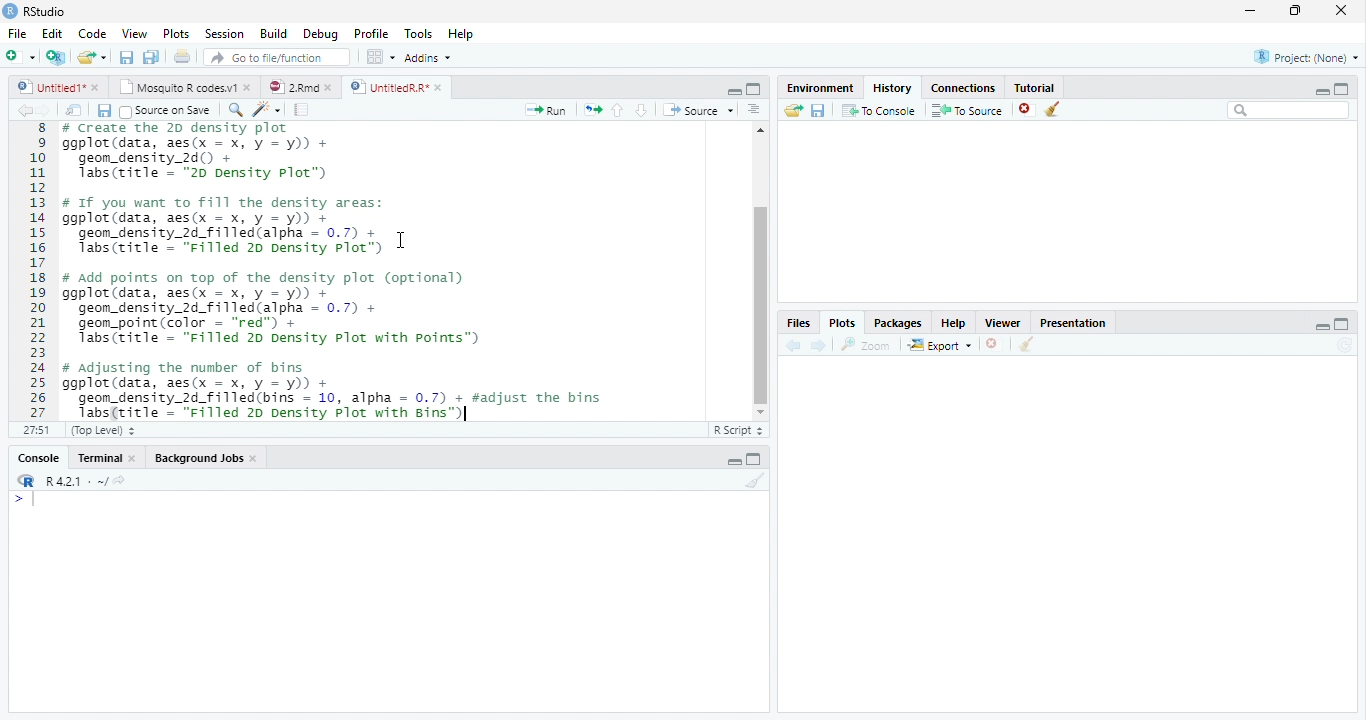 This screenshot has height=720, width=1366. I want to click on minimize, so click(734, 462).